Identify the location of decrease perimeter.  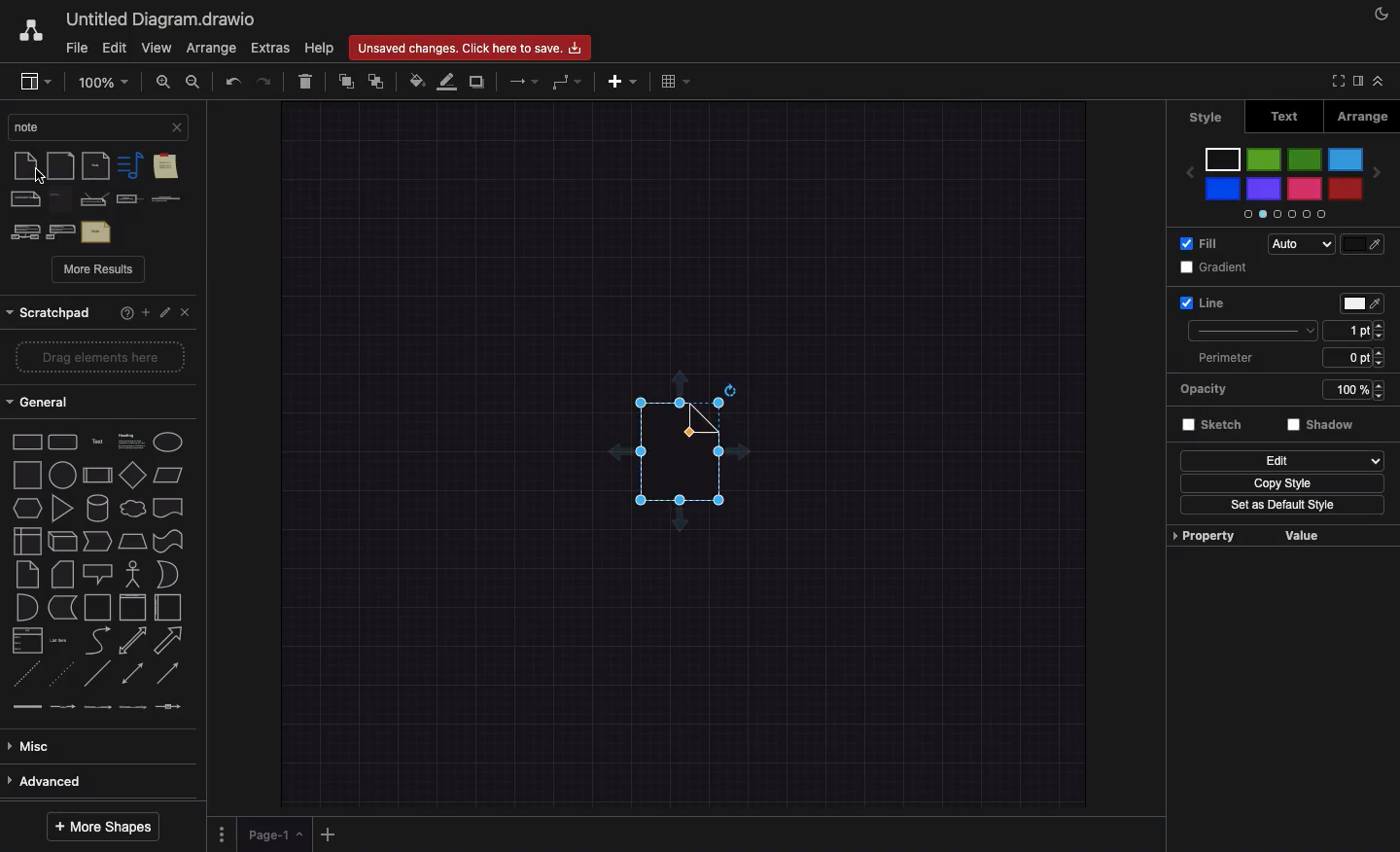
(1384, 367).